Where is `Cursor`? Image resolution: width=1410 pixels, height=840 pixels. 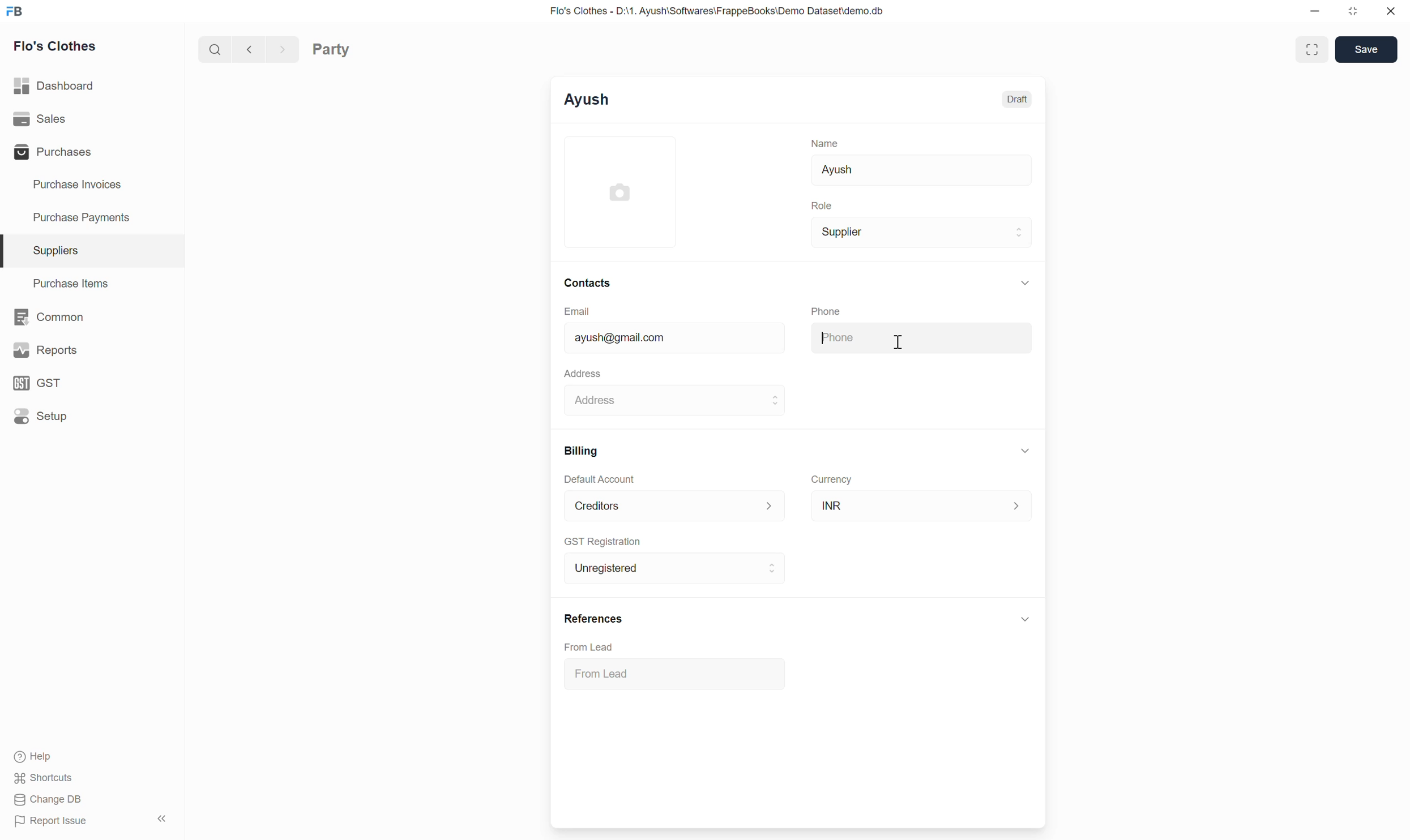 Cursor is located at coordinates (900, 340).